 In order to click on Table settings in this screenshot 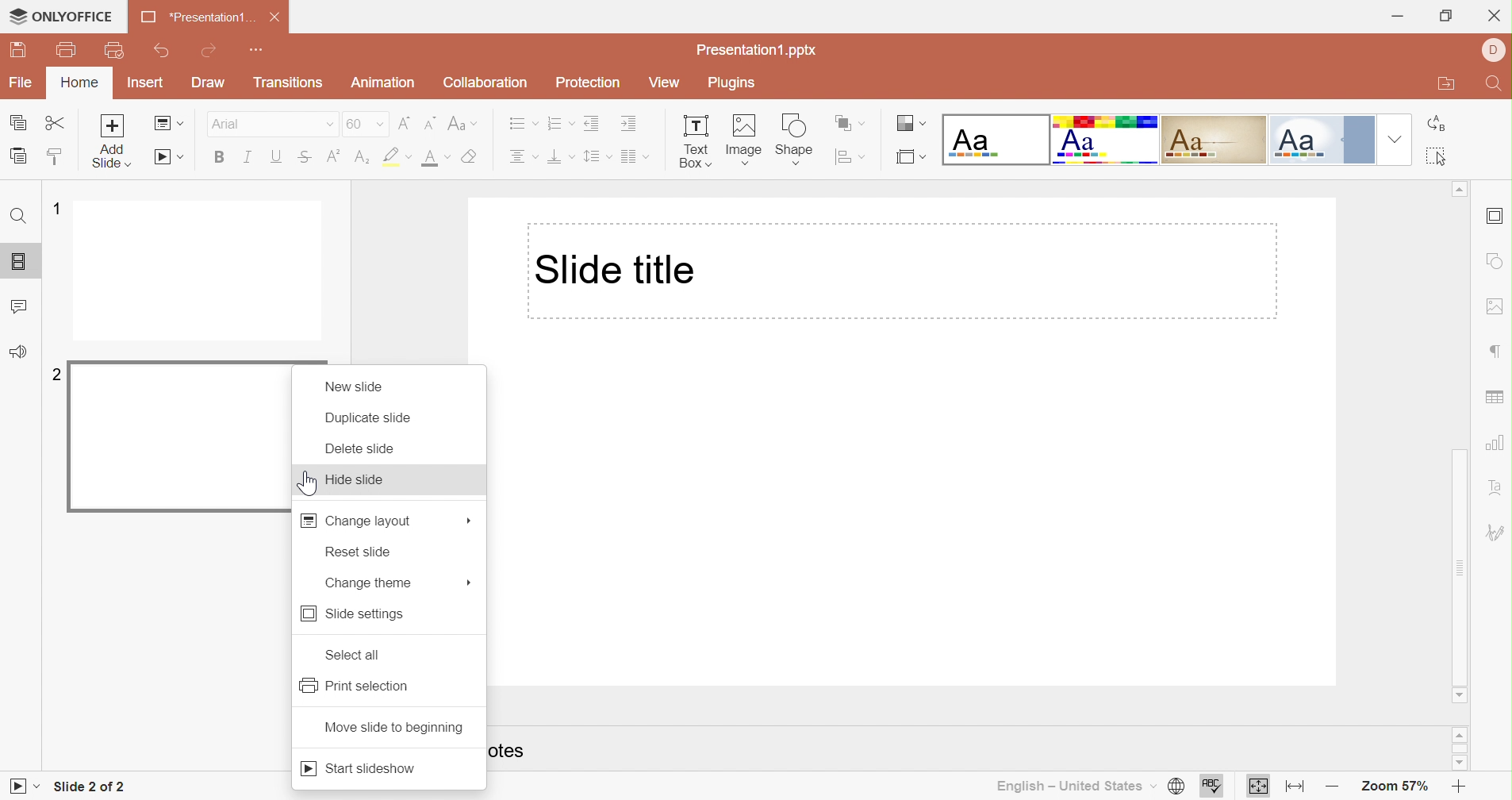, I will do `click(1496, 399)`.